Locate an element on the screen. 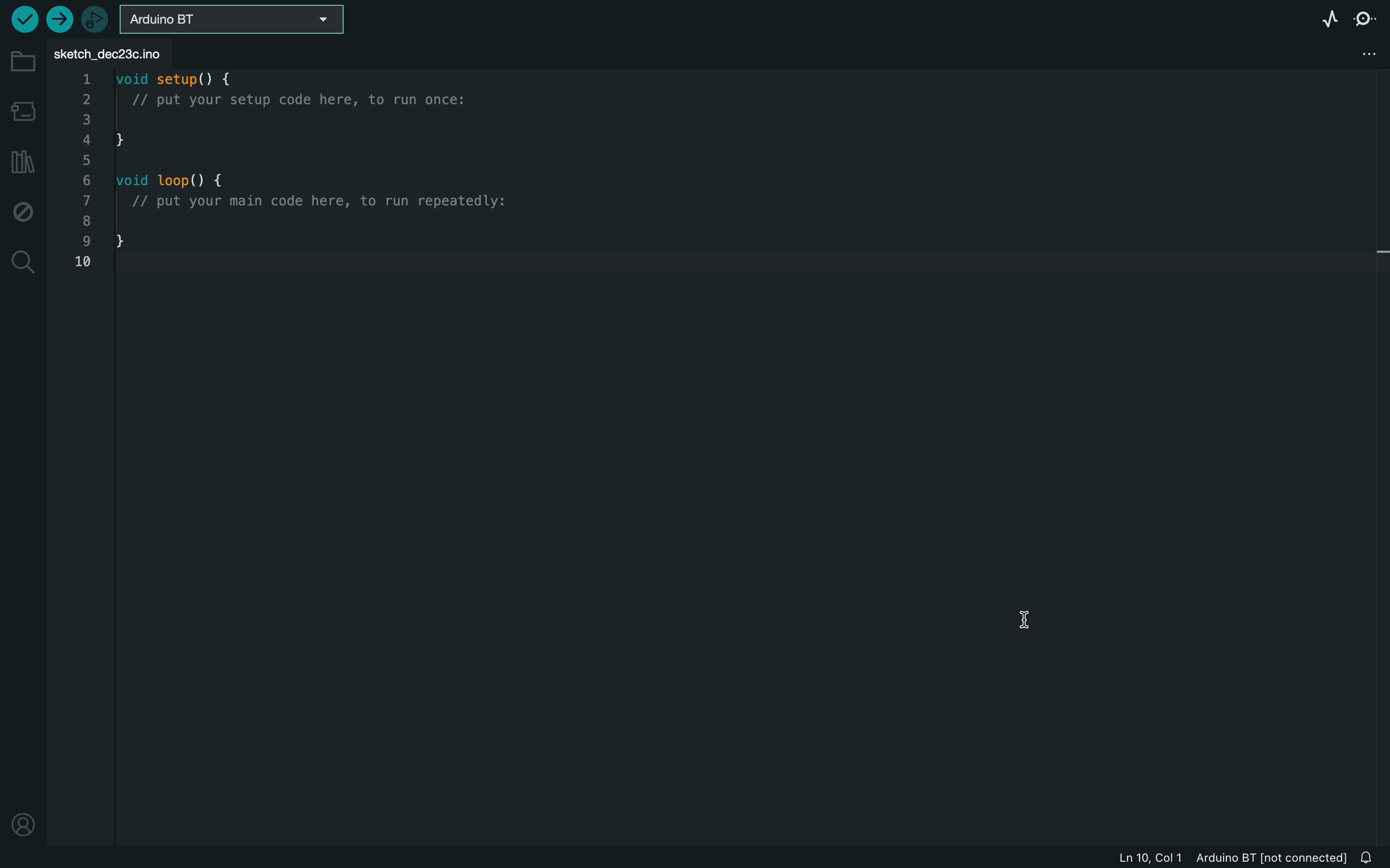 The width and height of the screenshot is (1390, 868). debugger is located at coordinates (93, 19).